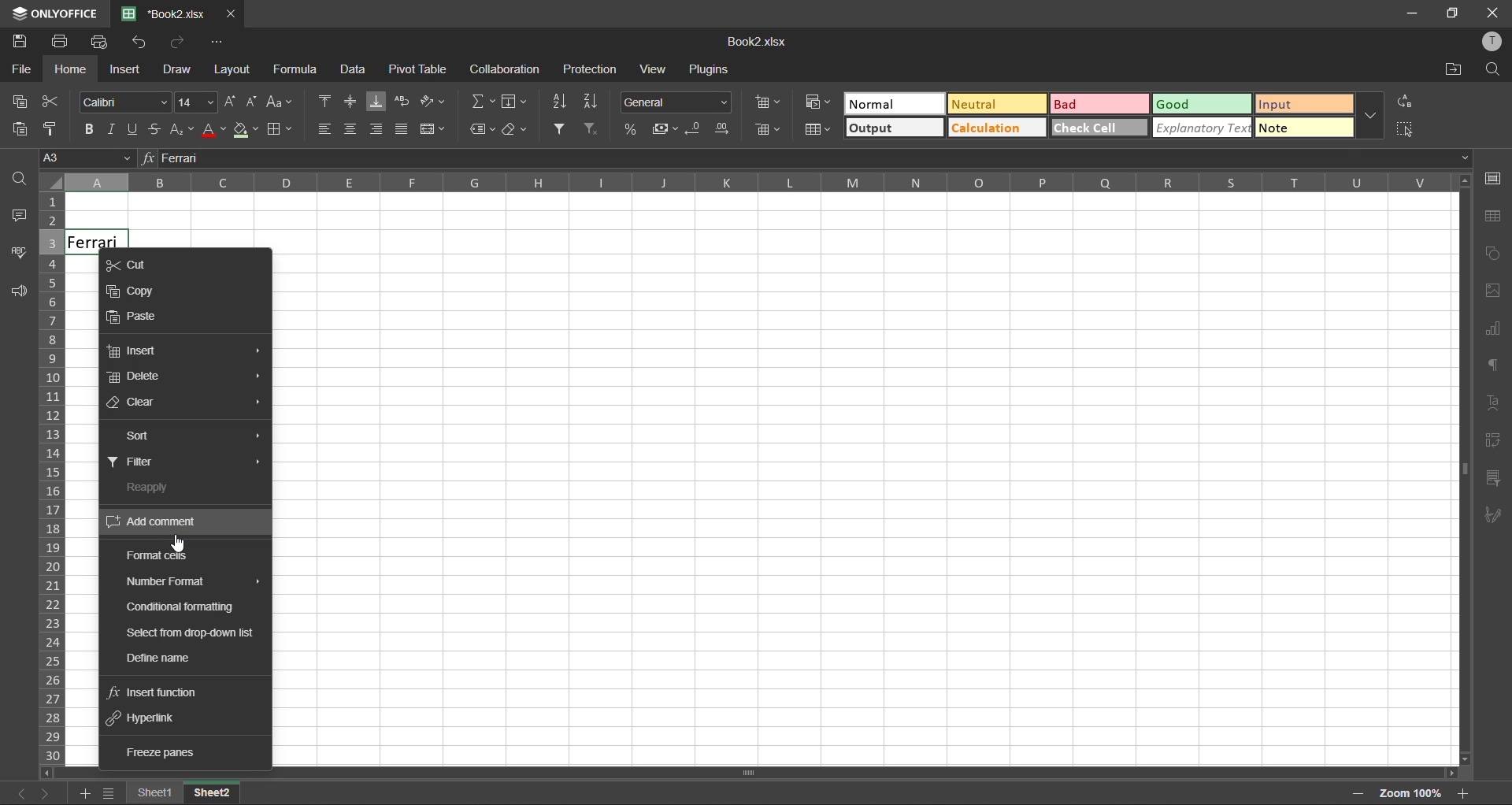  What do you see at coordinates (565, 102) in the screenshot?
I see `sort ascending` at bounding box center [565, 102].